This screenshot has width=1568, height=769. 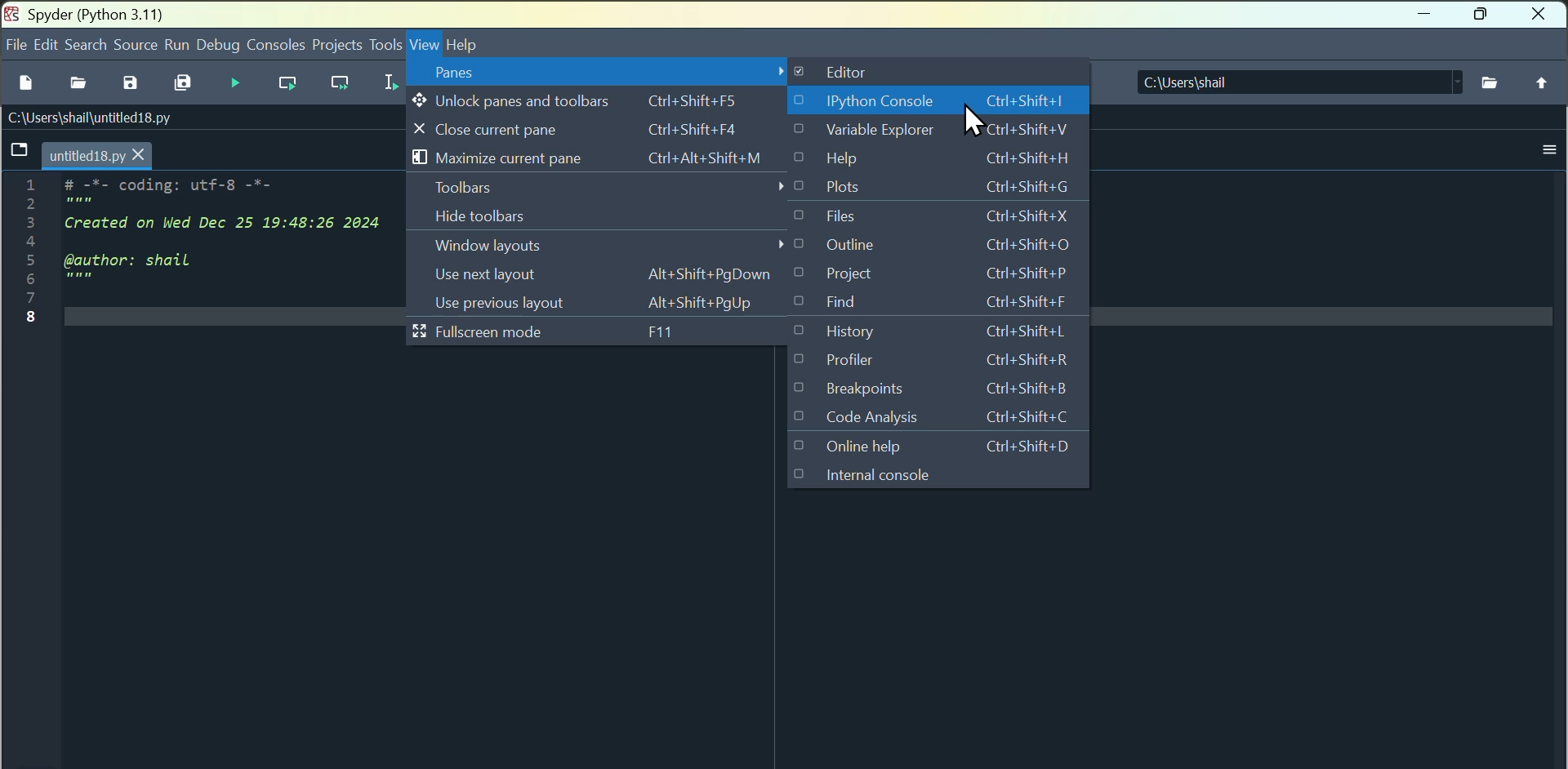 I want to click on Online help, so click(x=932, y=449).